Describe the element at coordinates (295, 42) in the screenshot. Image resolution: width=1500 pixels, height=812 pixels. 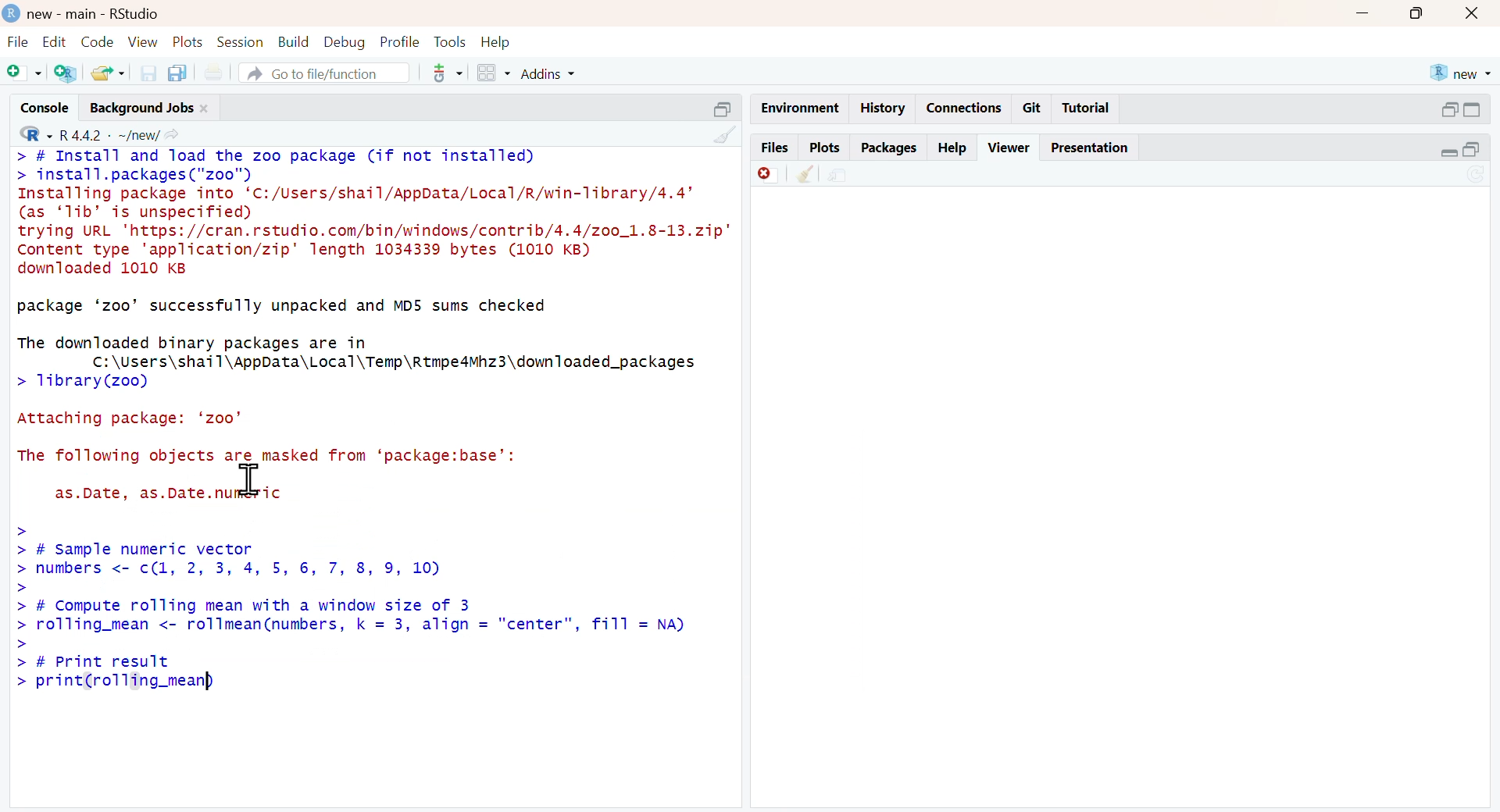
I see `build` at that location.